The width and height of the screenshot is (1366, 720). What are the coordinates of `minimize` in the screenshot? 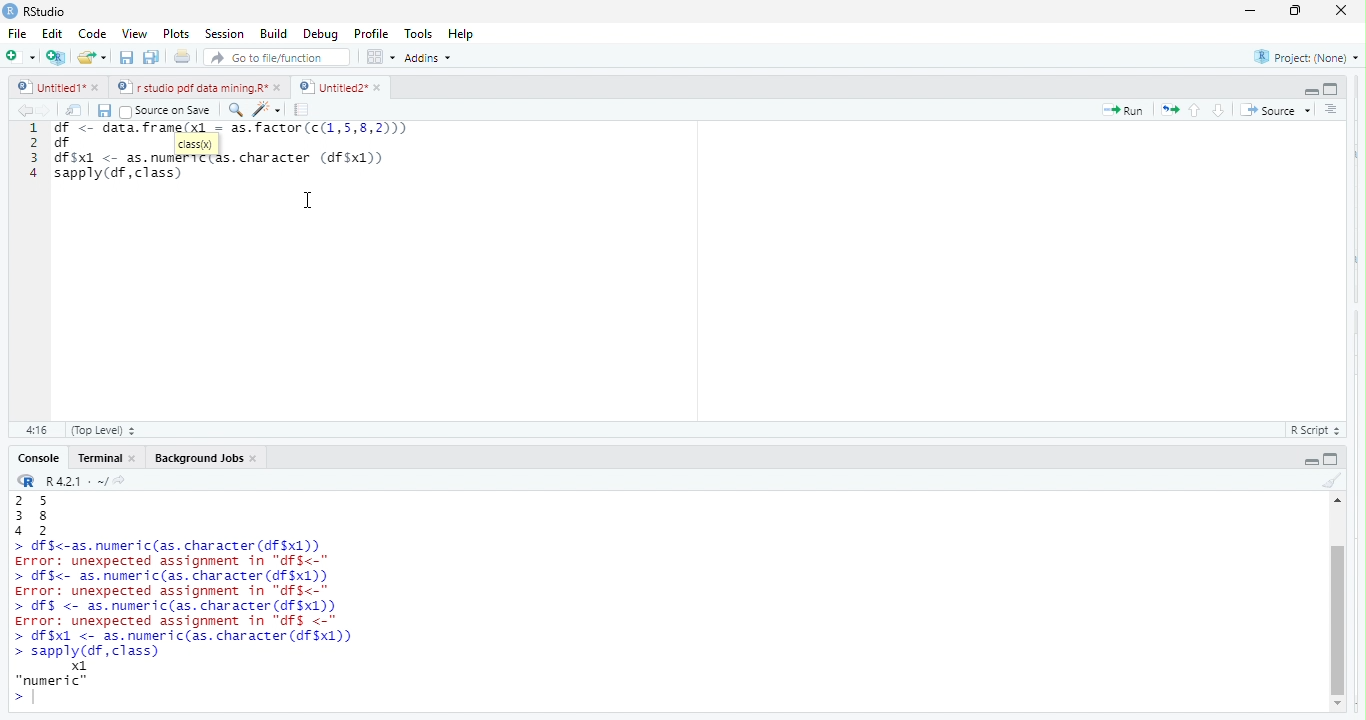 It's located at (1246, 12).